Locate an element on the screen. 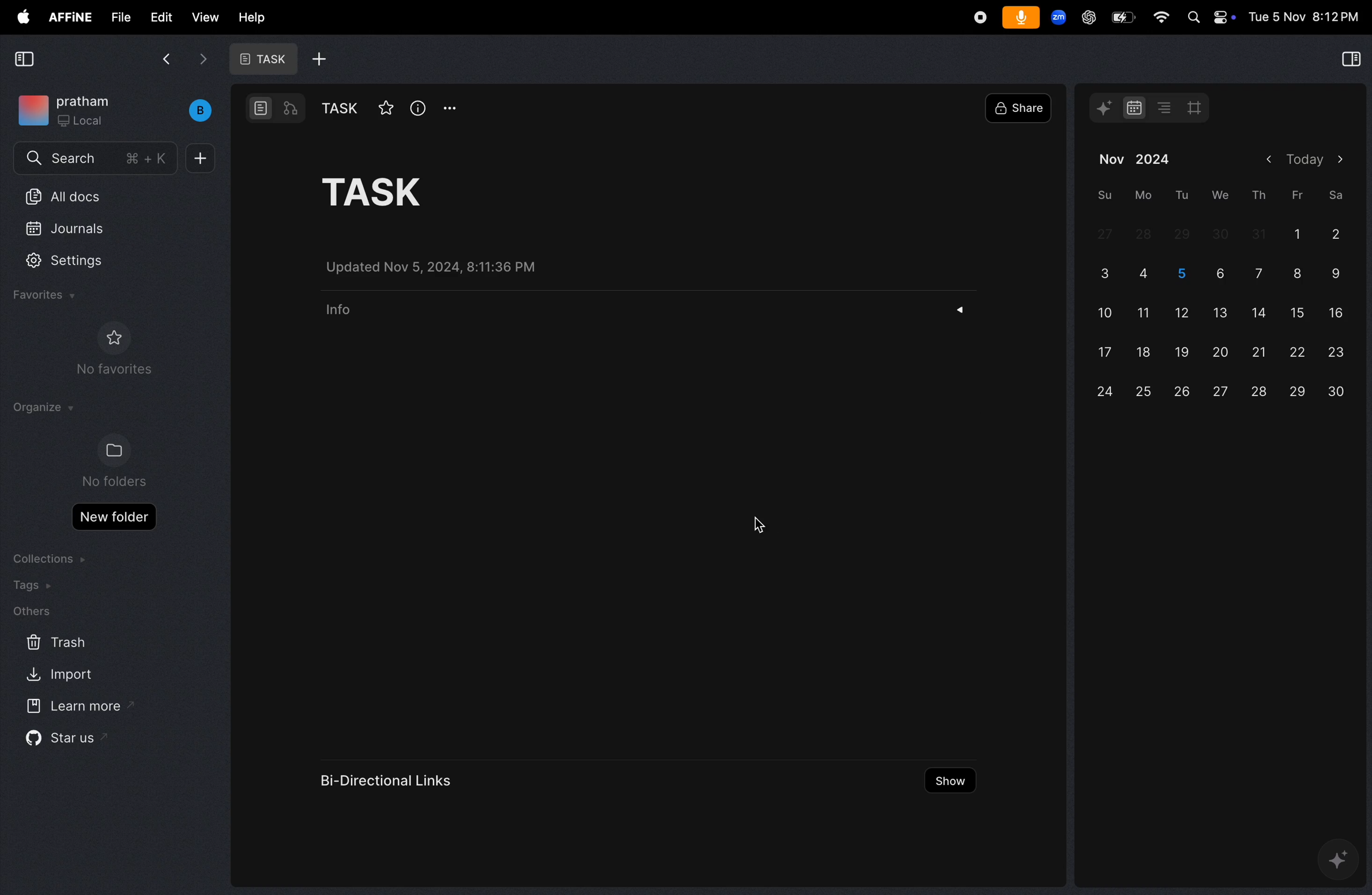  show is located at coordinates (949, 783).